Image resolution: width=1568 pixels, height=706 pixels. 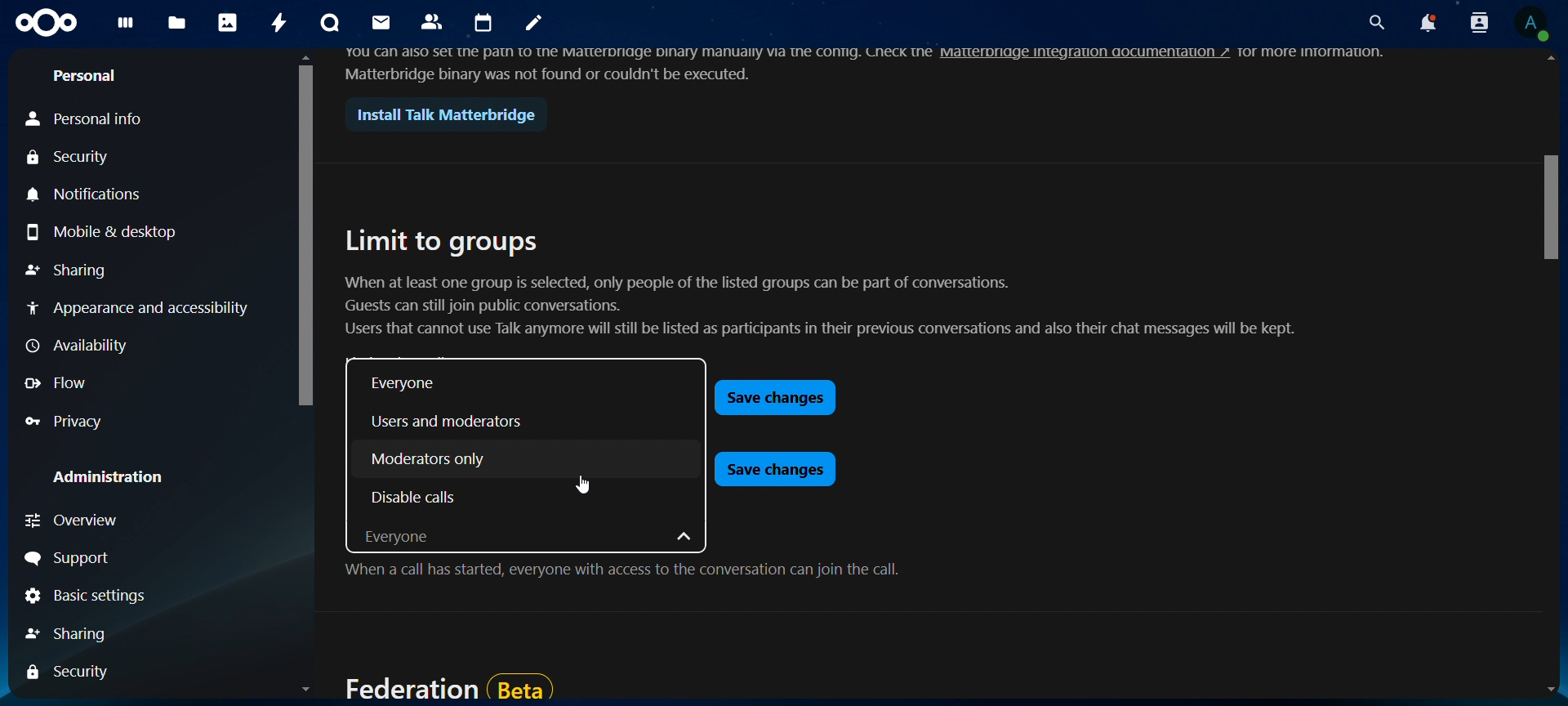 I want to click on federation beta, so click(x=445, y=683).